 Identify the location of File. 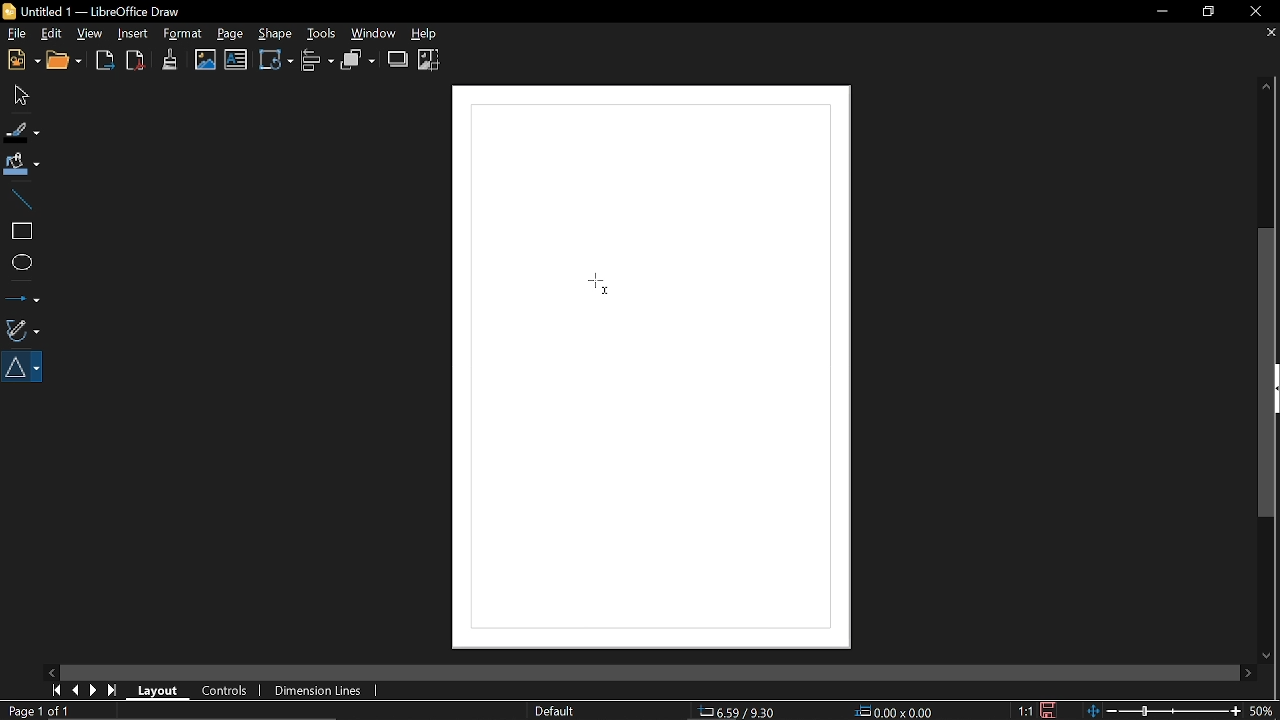
(16, 33).